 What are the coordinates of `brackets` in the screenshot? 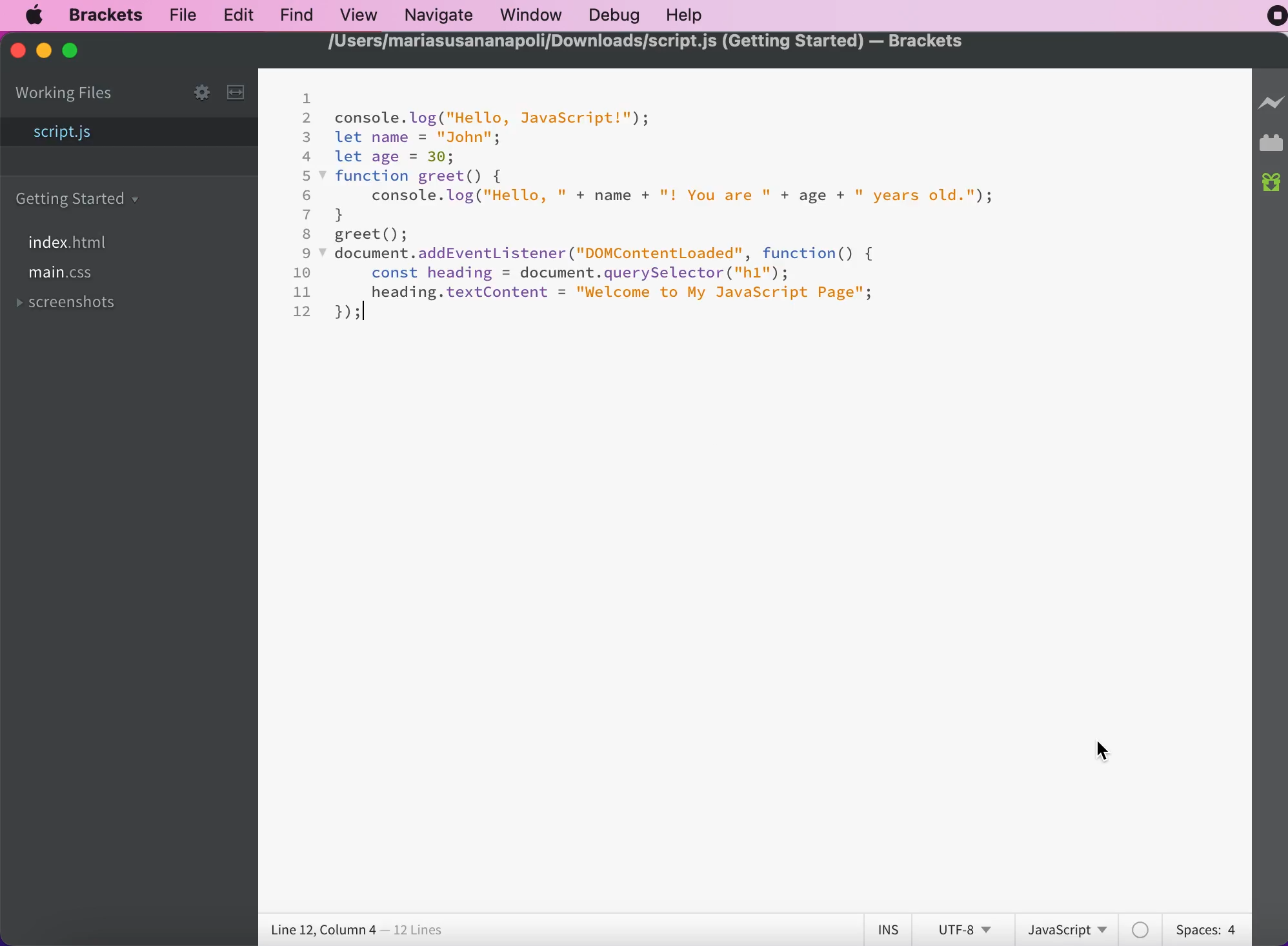 It's located at (100, 15).